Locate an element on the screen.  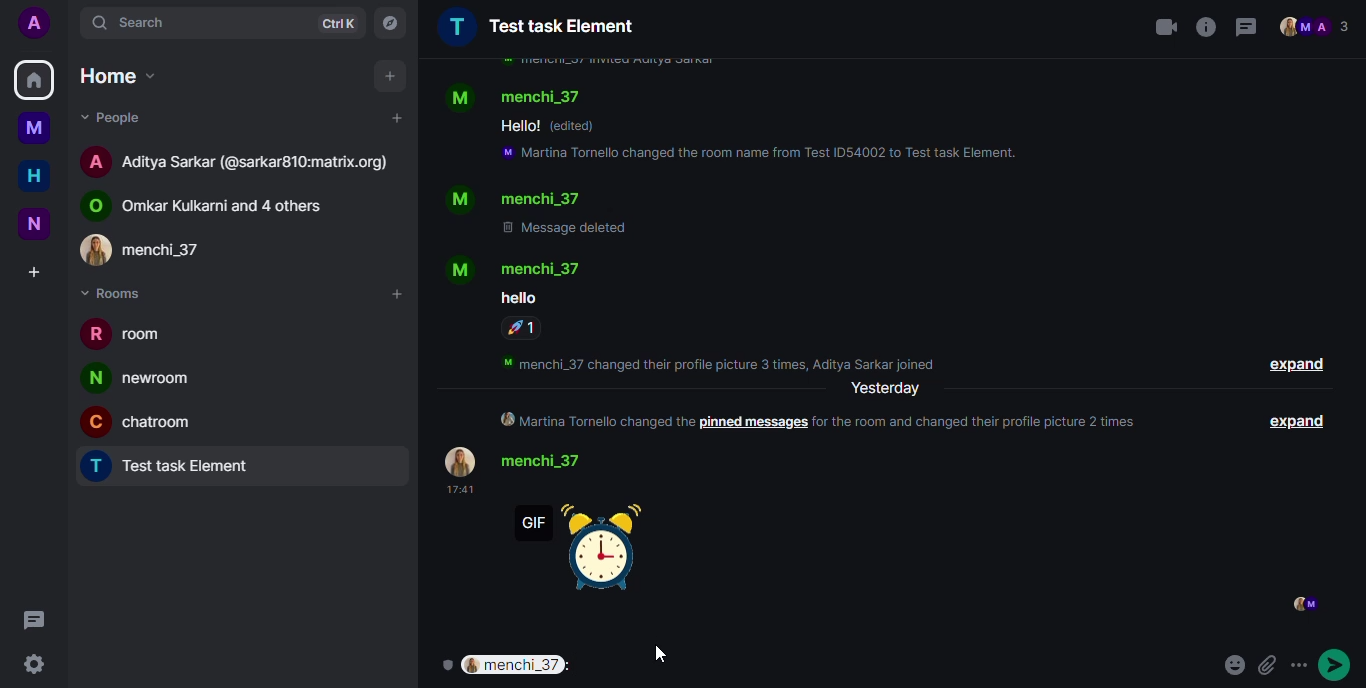
add is located at coordinates (395, 295).